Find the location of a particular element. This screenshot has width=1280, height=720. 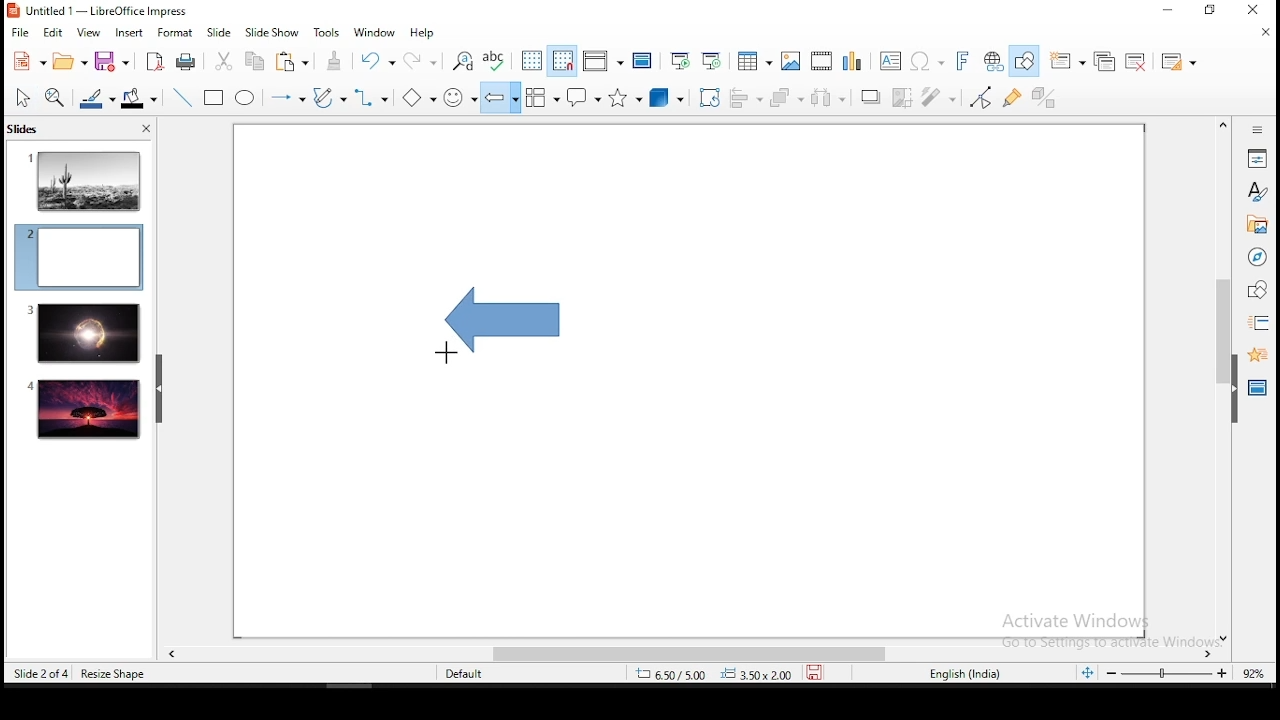

format is located at coordinates (174, 32).